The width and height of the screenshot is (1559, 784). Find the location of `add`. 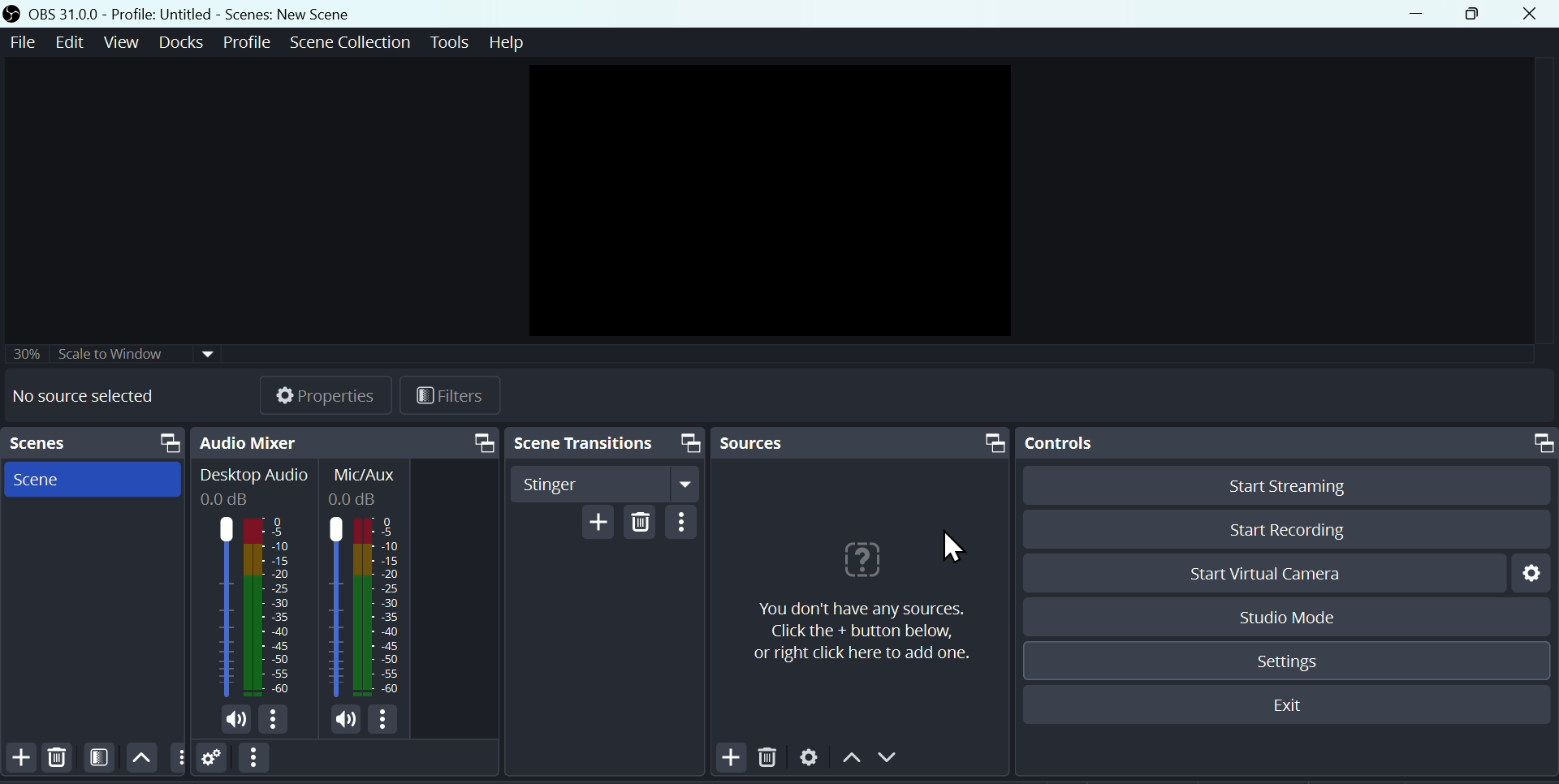

add is located at coordinates (18, 759).